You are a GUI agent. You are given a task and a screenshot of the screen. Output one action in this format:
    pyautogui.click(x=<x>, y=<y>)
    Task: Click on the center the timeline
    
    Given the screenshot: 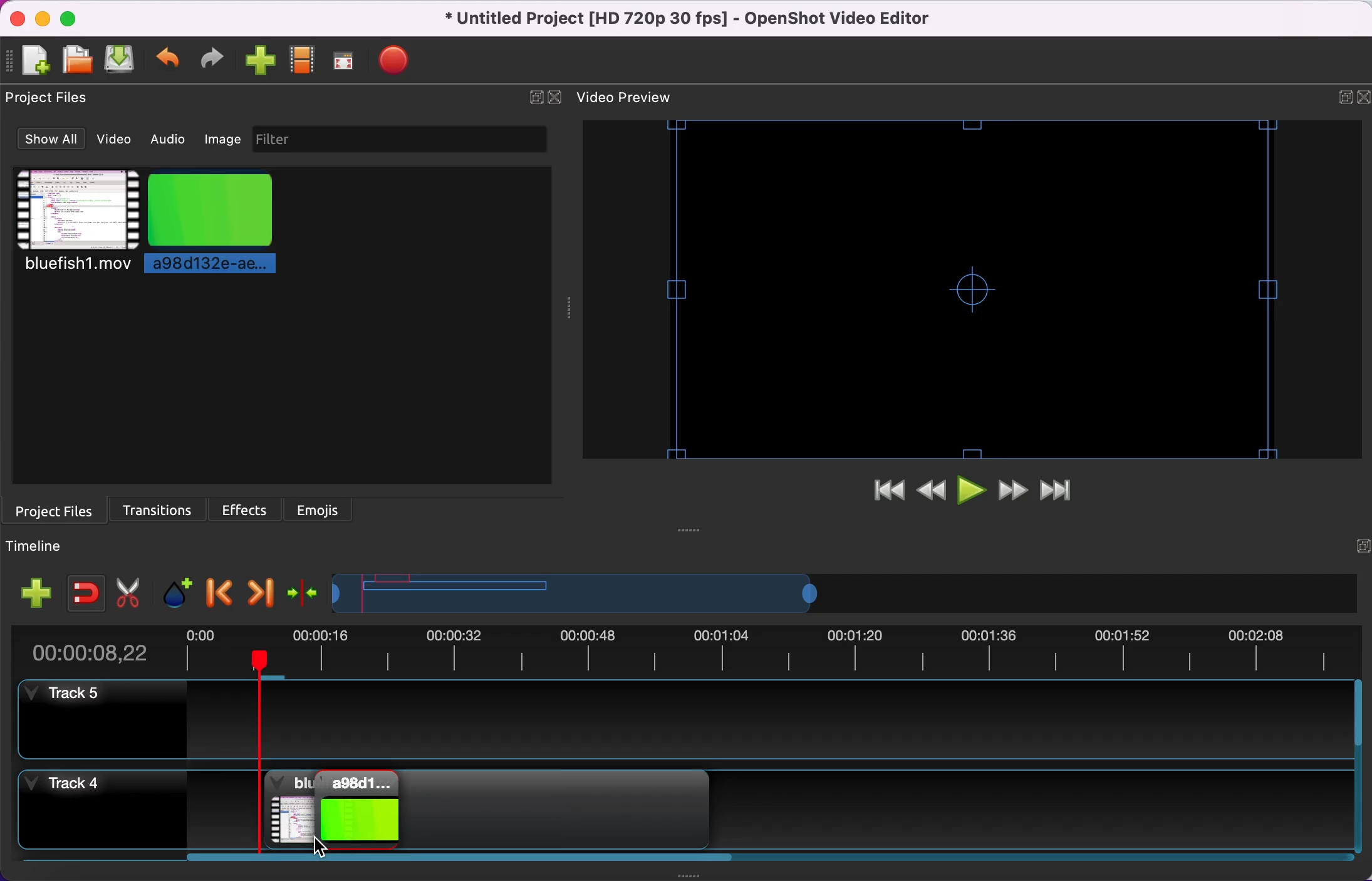 What is the action you would take?
    pyautogui.click(x=304, y=592)
    